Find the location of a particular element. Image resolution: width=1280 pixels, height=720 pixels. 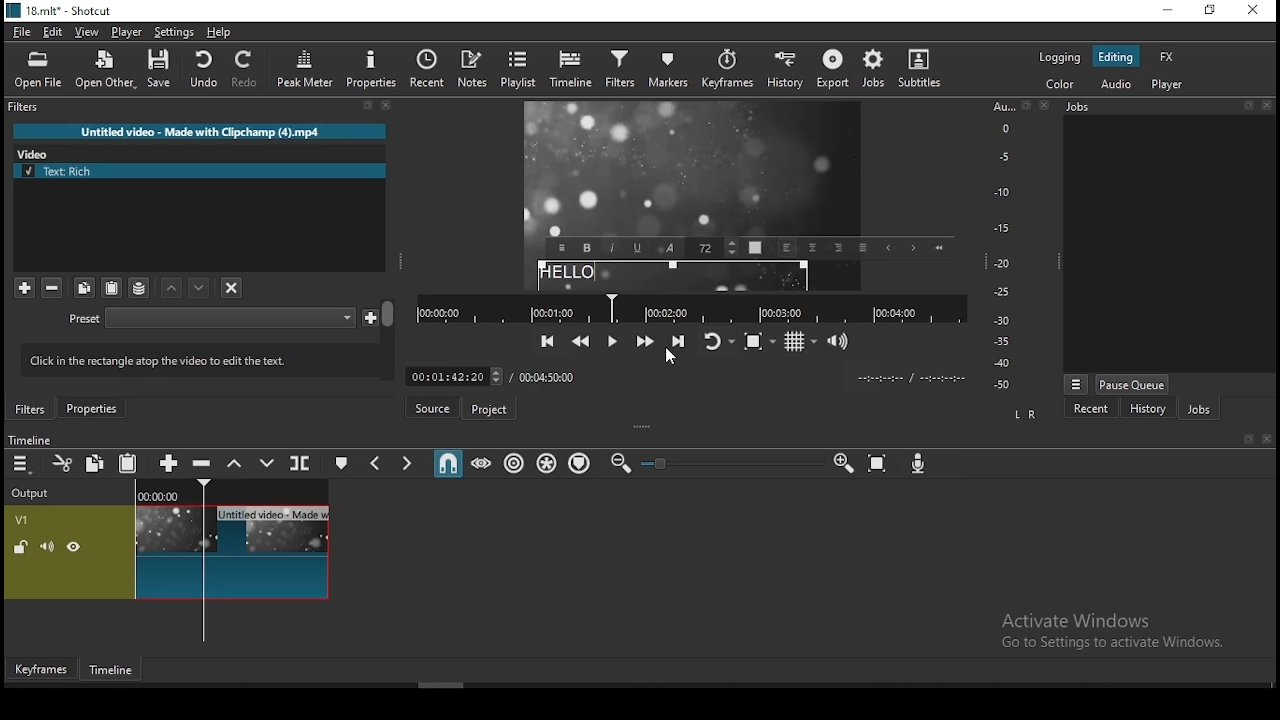

paste is located at coordinates (128, 462).